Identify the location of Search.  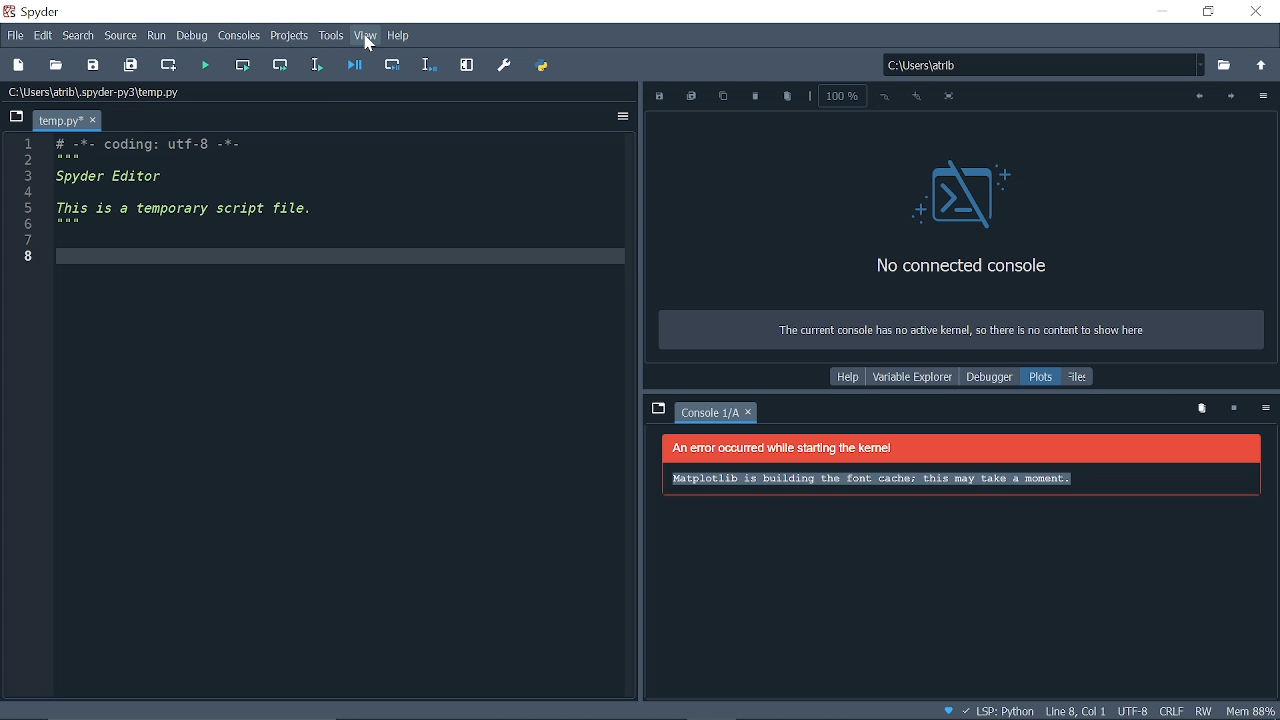
(78, 36).